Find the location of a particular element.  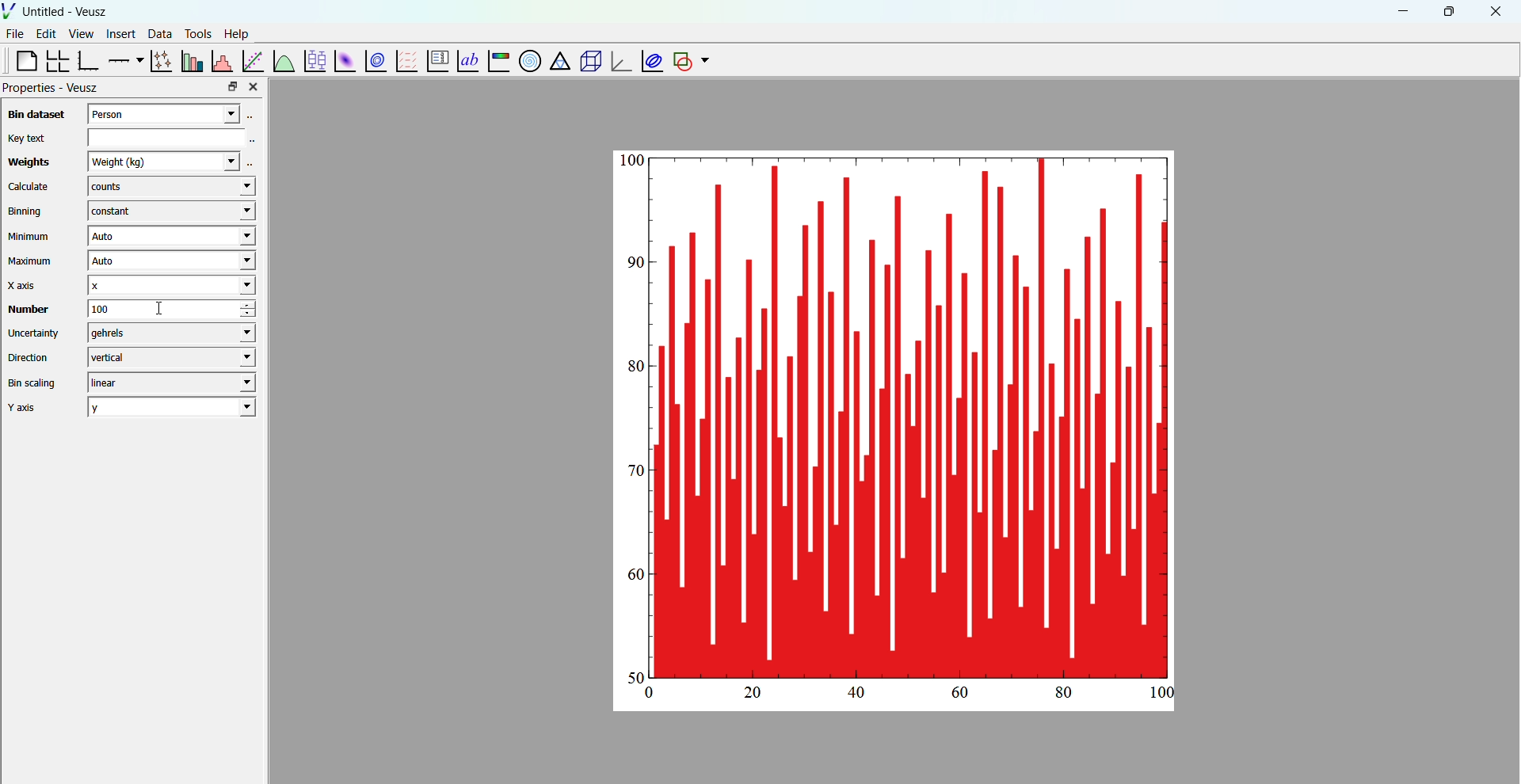

Bin Dataset is located at coordinates (34, 114).